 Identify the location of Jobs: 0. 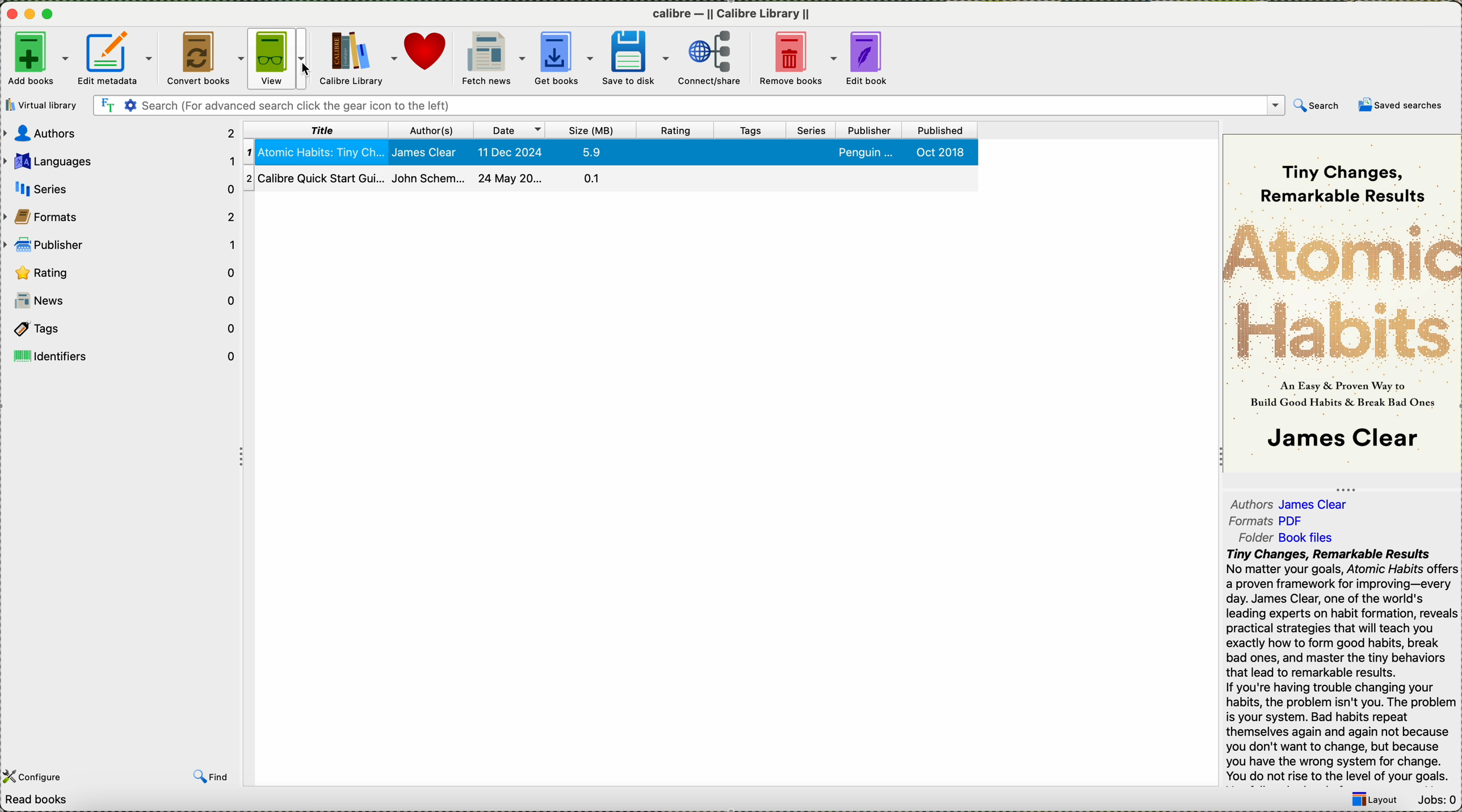
(1438, 798).